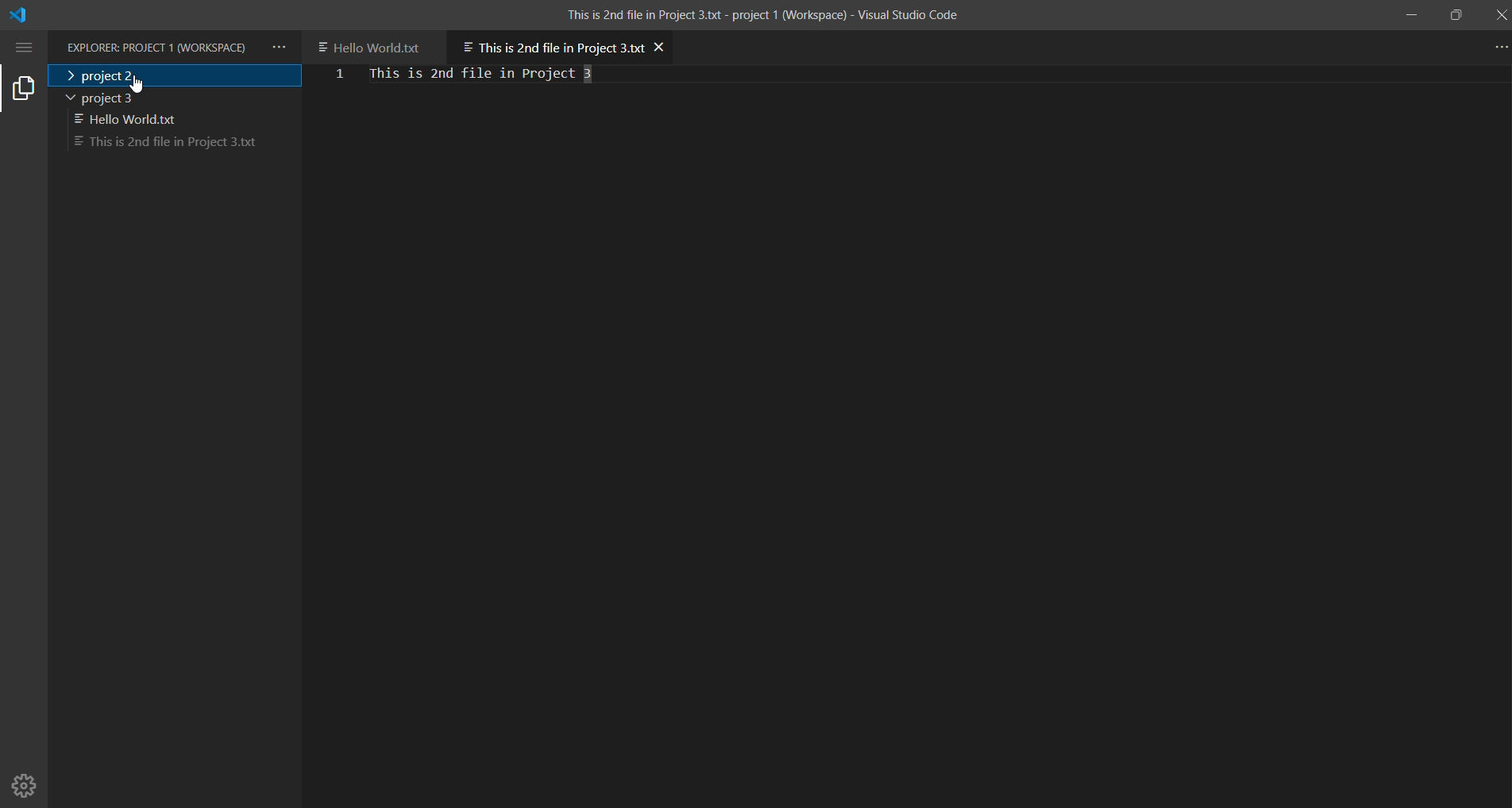 This screenshot has width=1512, height=808. What do you see at coordinates (550, 44) in the screenshot?
I see `current open file` at bounding box center [550, 44].